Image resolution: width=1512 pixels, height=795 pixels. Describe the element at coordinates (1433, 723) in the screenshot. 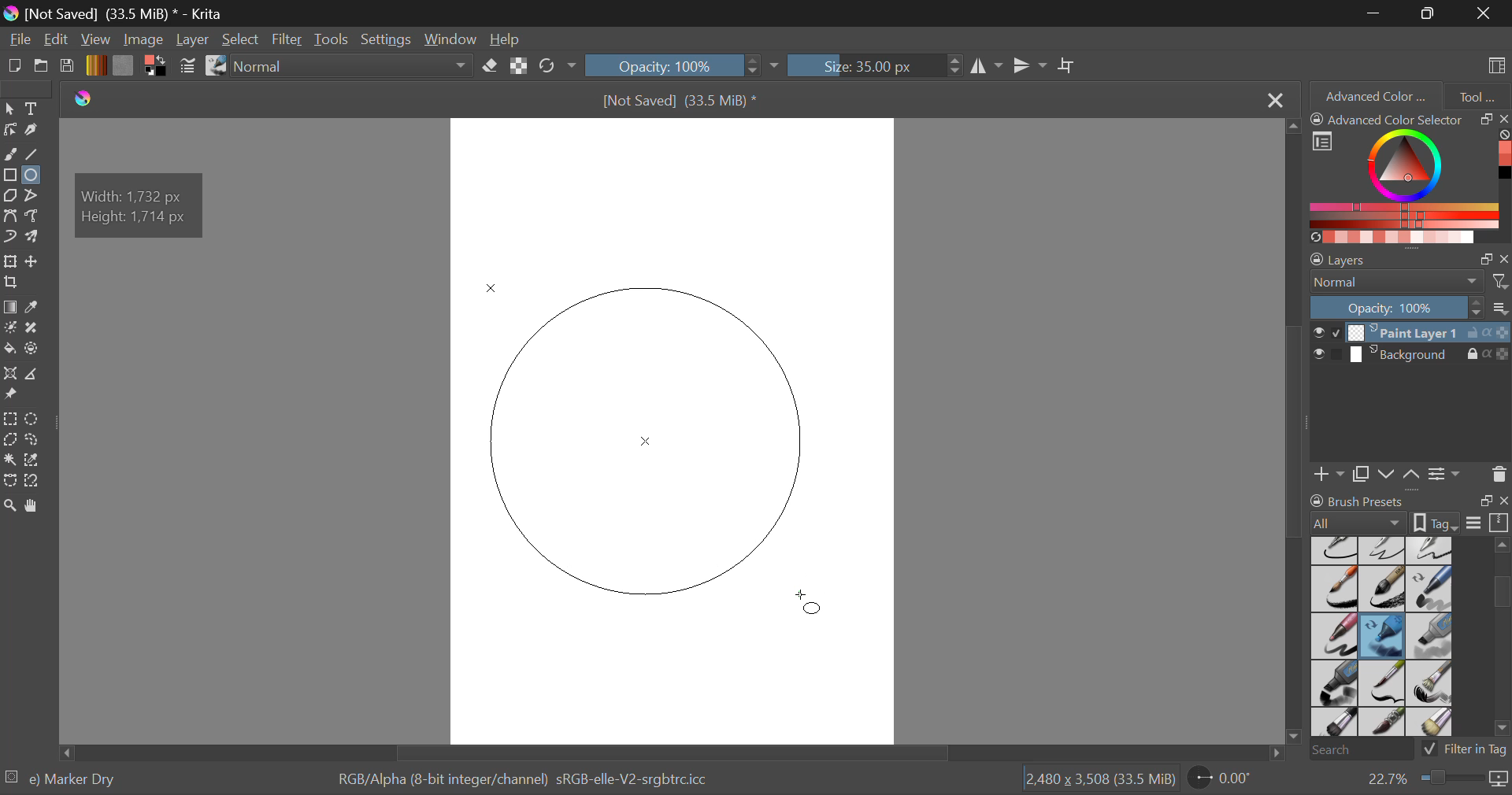

I see `Birstles-5 Plain` at that location.